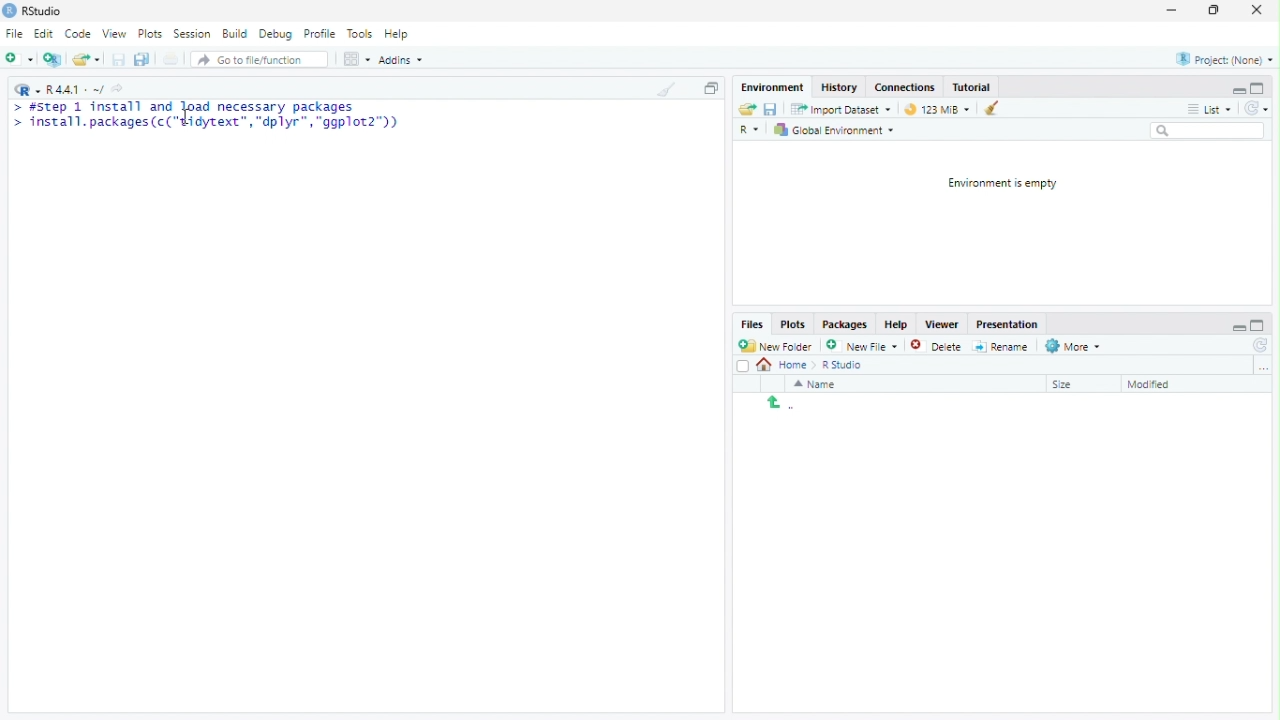  I want to click on R, so click(27, 89).